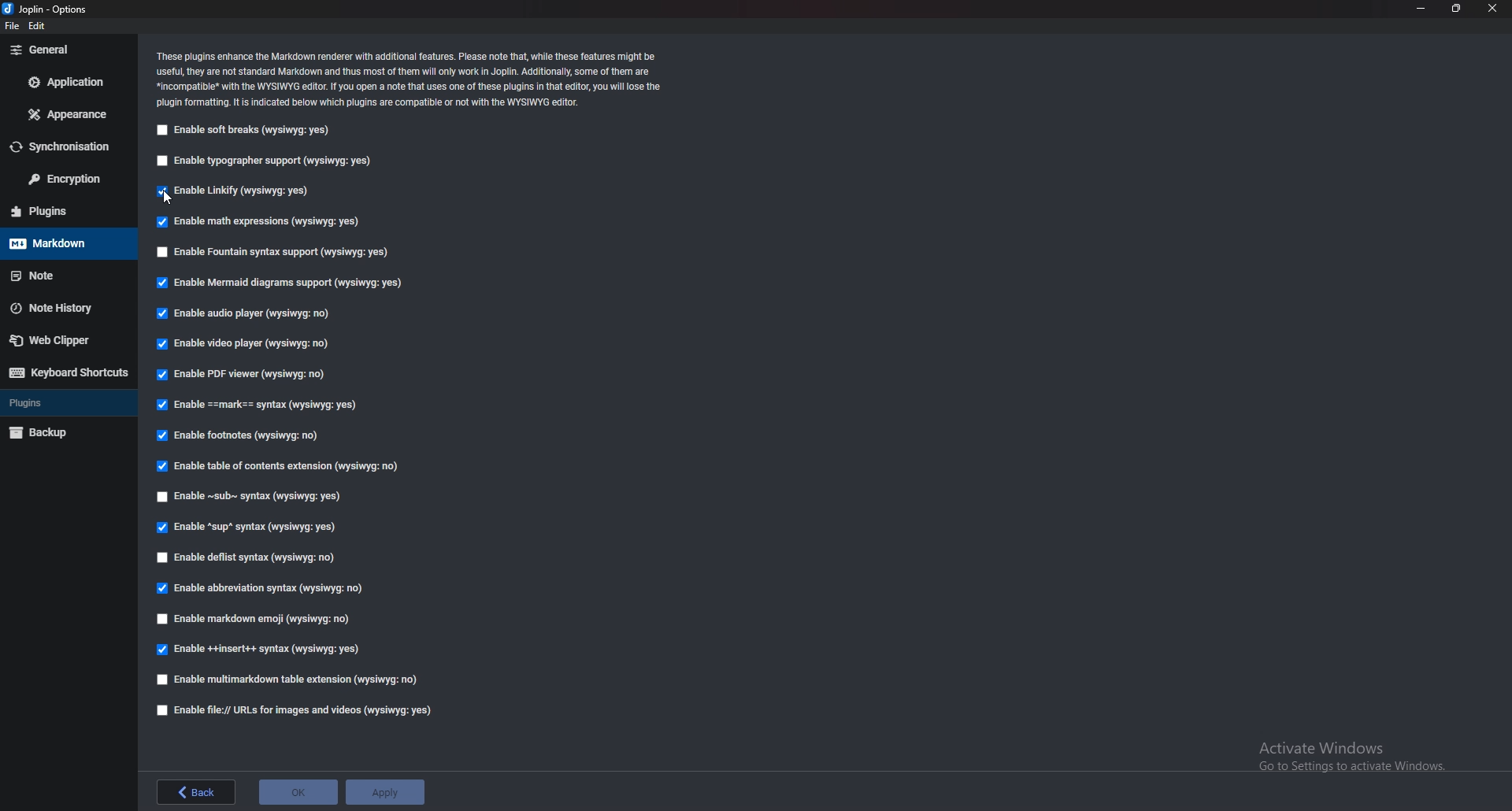  What do you see at coordinates (67, 342) in the screenshot?
I see `Webclipper` at bounding box center [67, 342].